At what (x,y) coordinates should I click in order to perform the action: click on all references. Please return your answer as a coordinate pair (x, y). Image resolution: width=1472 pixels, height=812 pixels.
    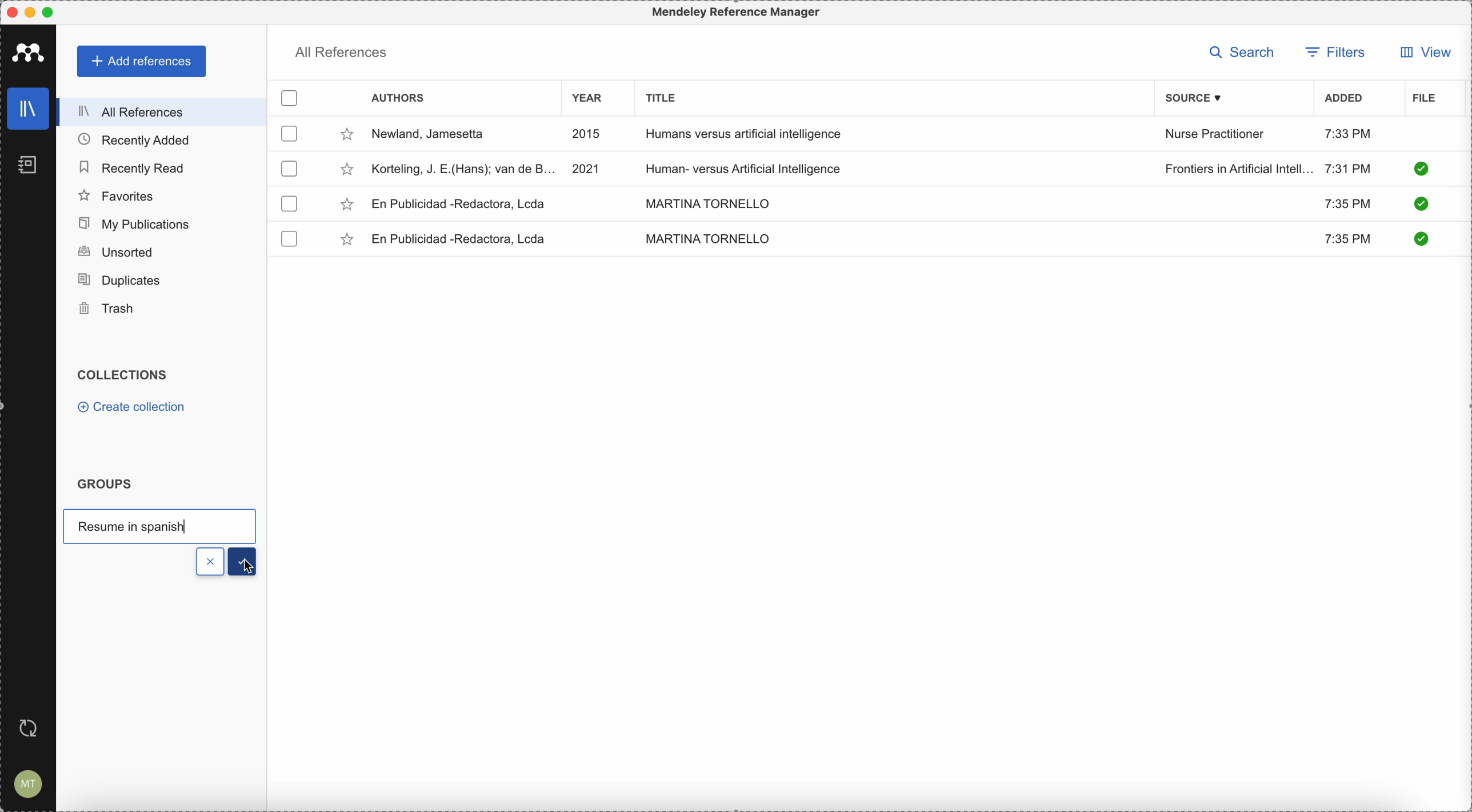
    Looking at the image, I should click on (341, 55).